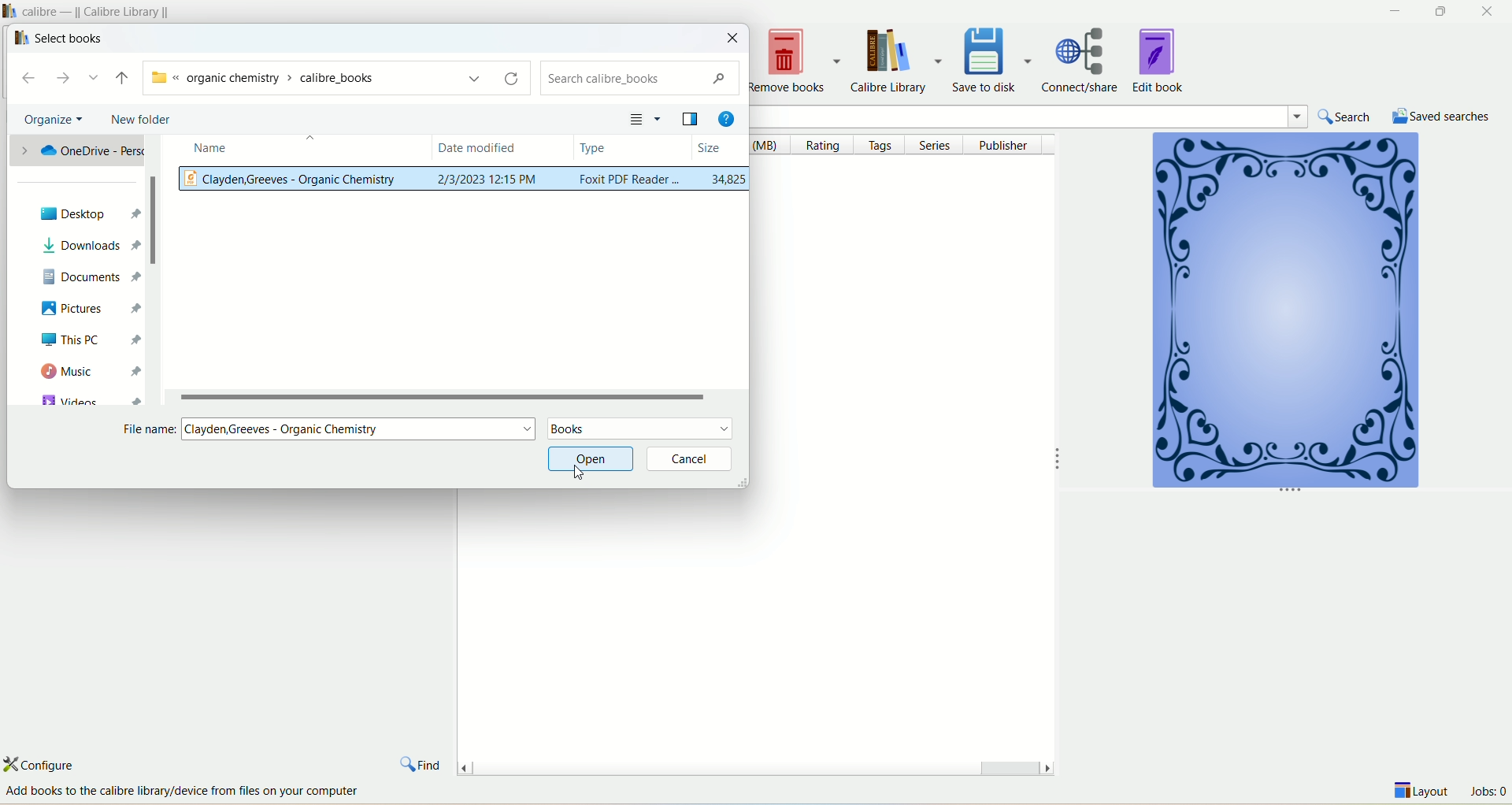 The width and height of the screenshot is (1512, 805). What do you see at coordinates (197, 792) in the screenshot?
I see `` at bounding box center [197, 792].